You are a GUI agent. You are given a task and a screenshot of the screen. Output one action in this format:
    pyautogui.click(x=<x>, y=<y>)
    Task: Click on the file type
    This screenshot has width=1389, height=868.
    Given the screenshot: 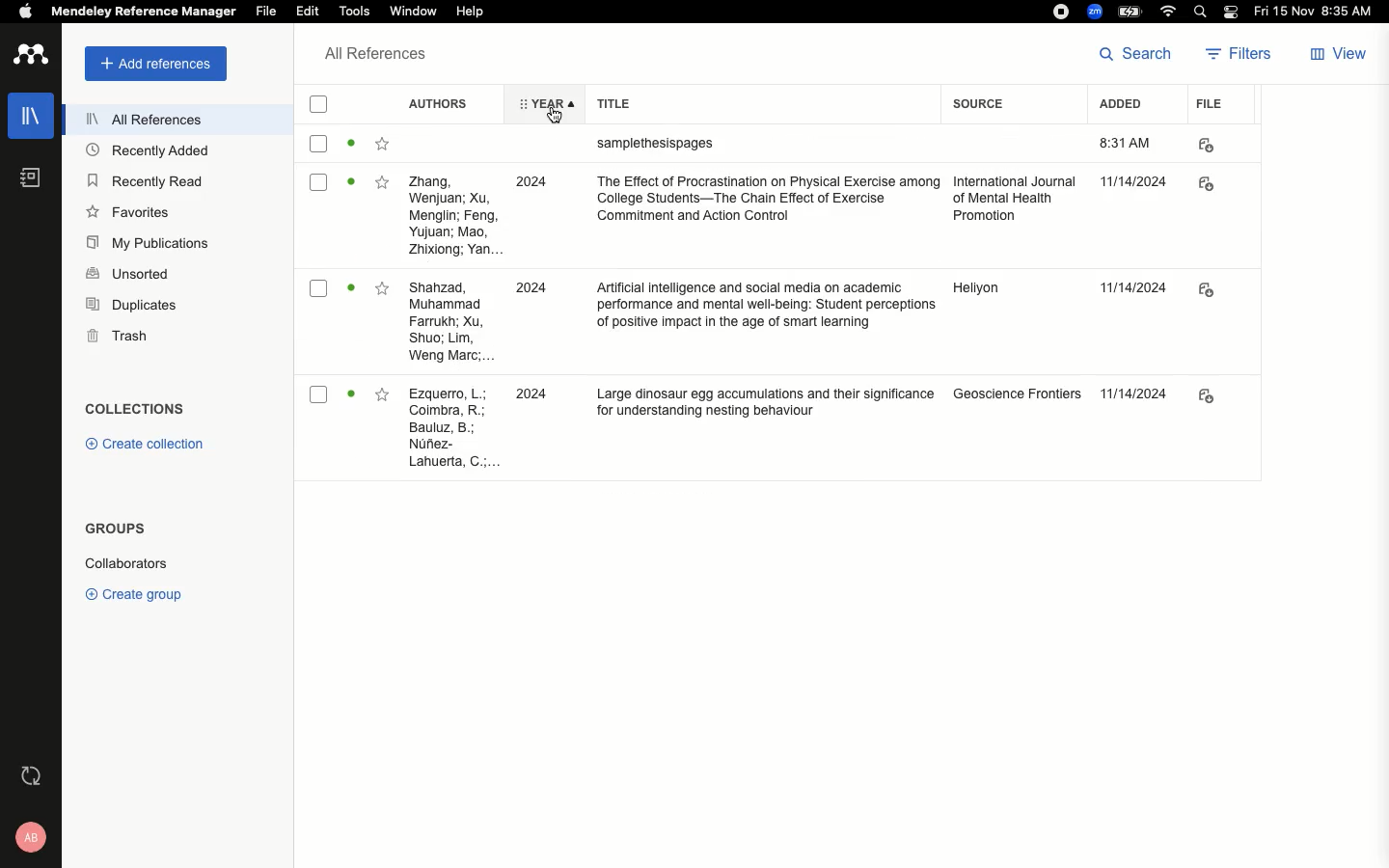 What is the action you would take?
    pyautogui.click(x=1218, y=145)
    